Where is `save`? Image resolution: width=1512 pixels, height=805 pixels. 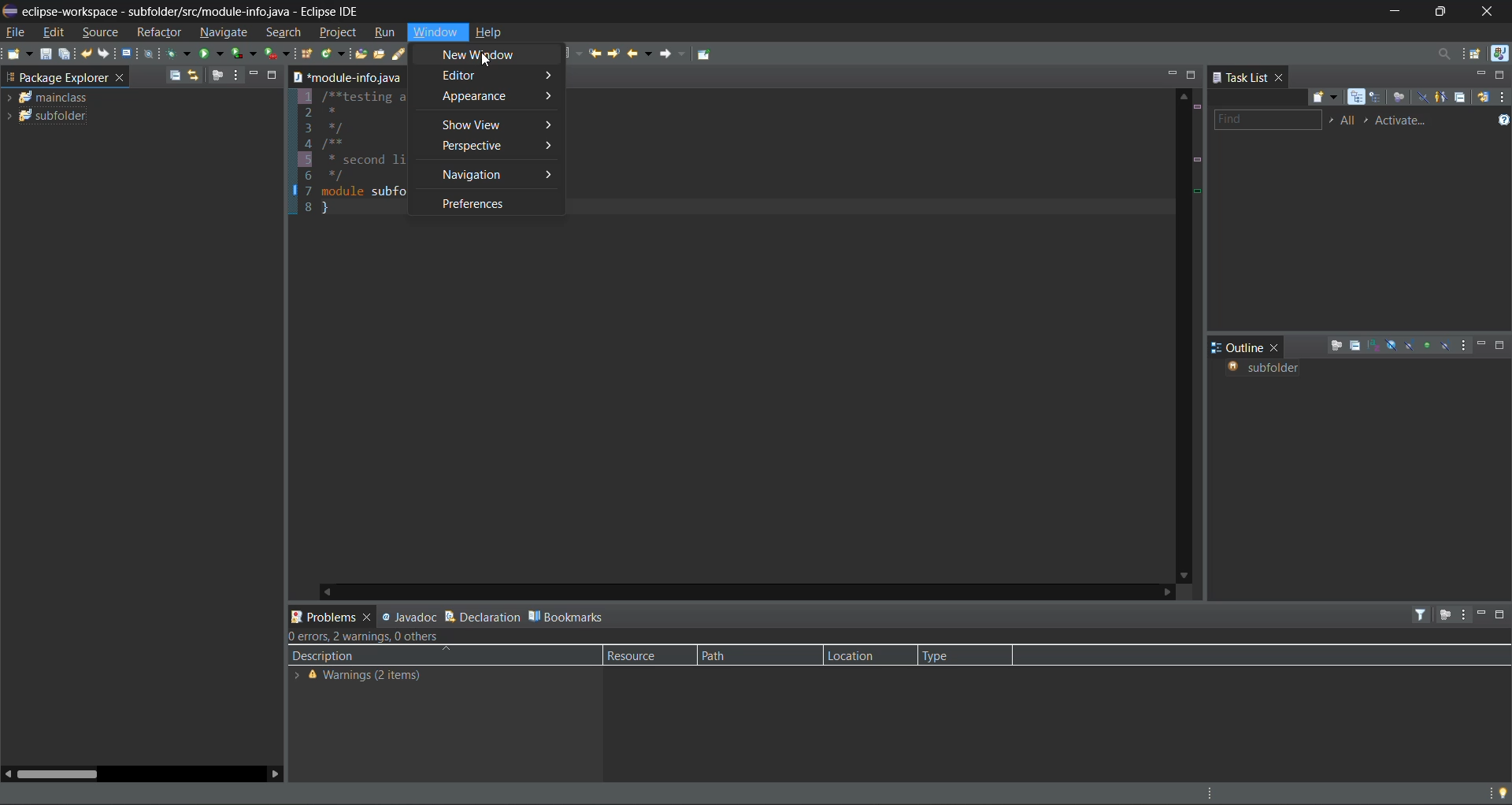
save is located at coordinates (46, 54).